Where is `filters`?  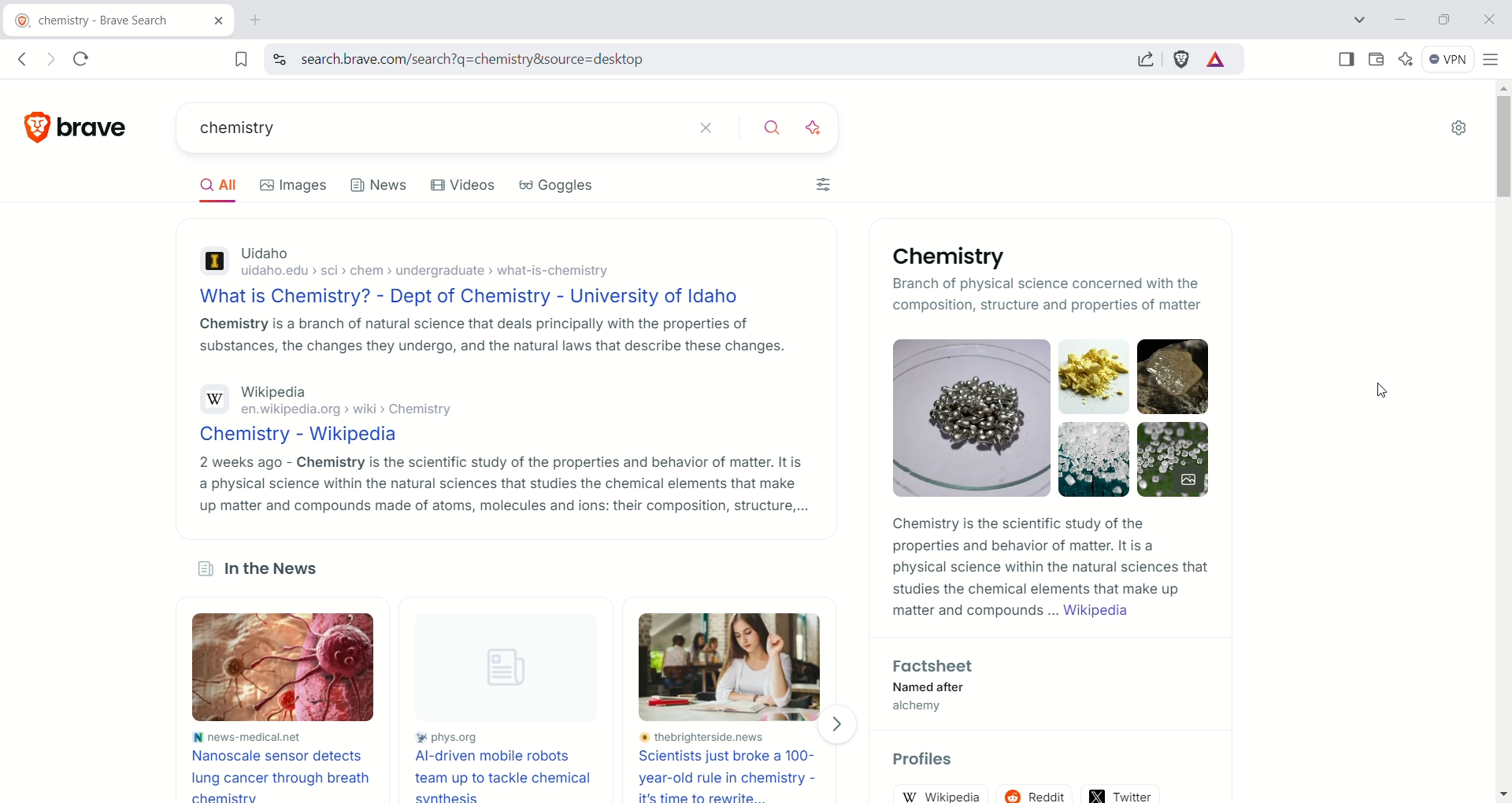
filters is located at coordinates (825, 187).